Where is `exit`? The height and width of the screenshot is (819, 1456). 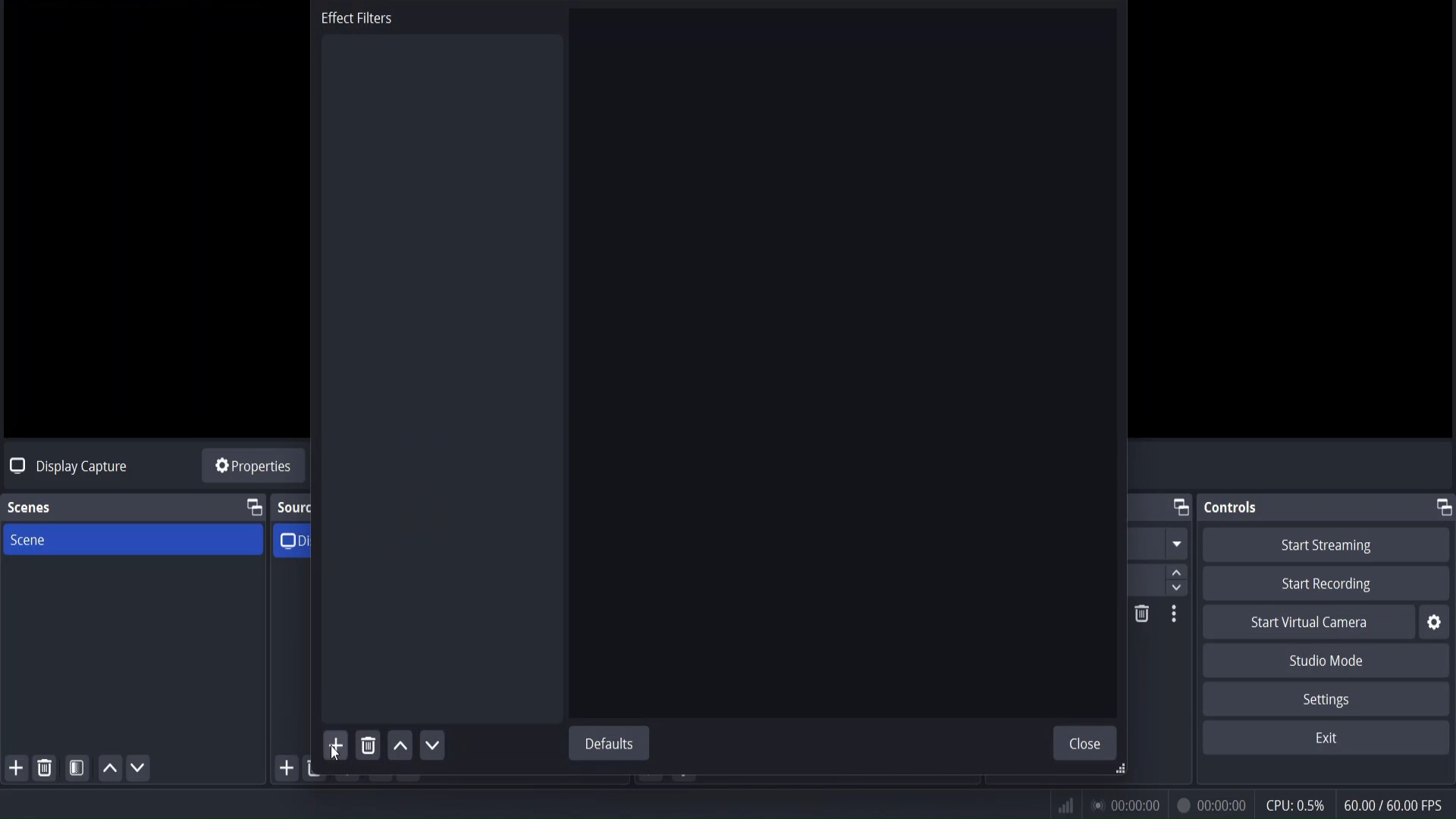
exit is located at coordinates (1326, 739).